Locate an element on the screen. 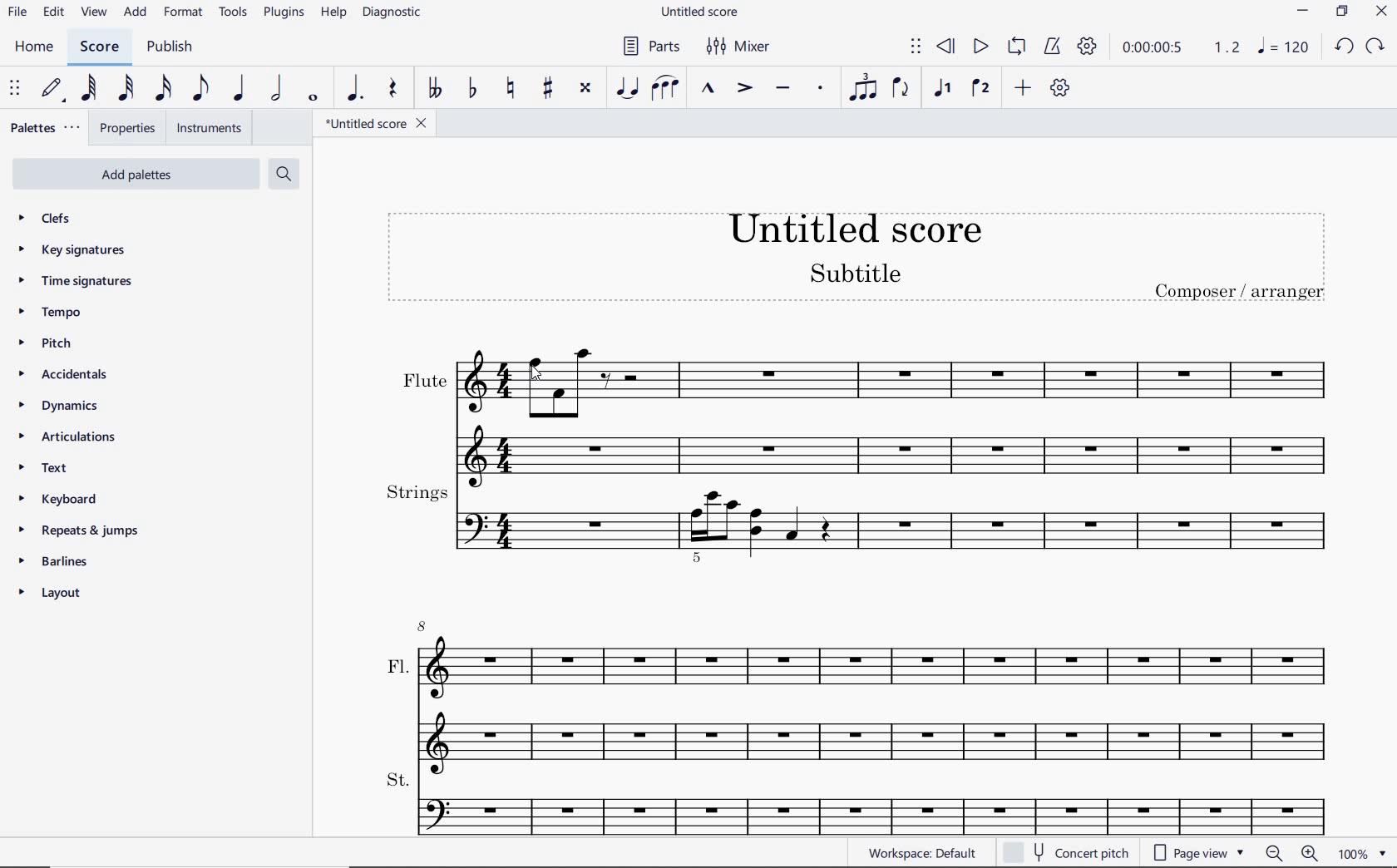  REST is located at coordinates (393, 90).